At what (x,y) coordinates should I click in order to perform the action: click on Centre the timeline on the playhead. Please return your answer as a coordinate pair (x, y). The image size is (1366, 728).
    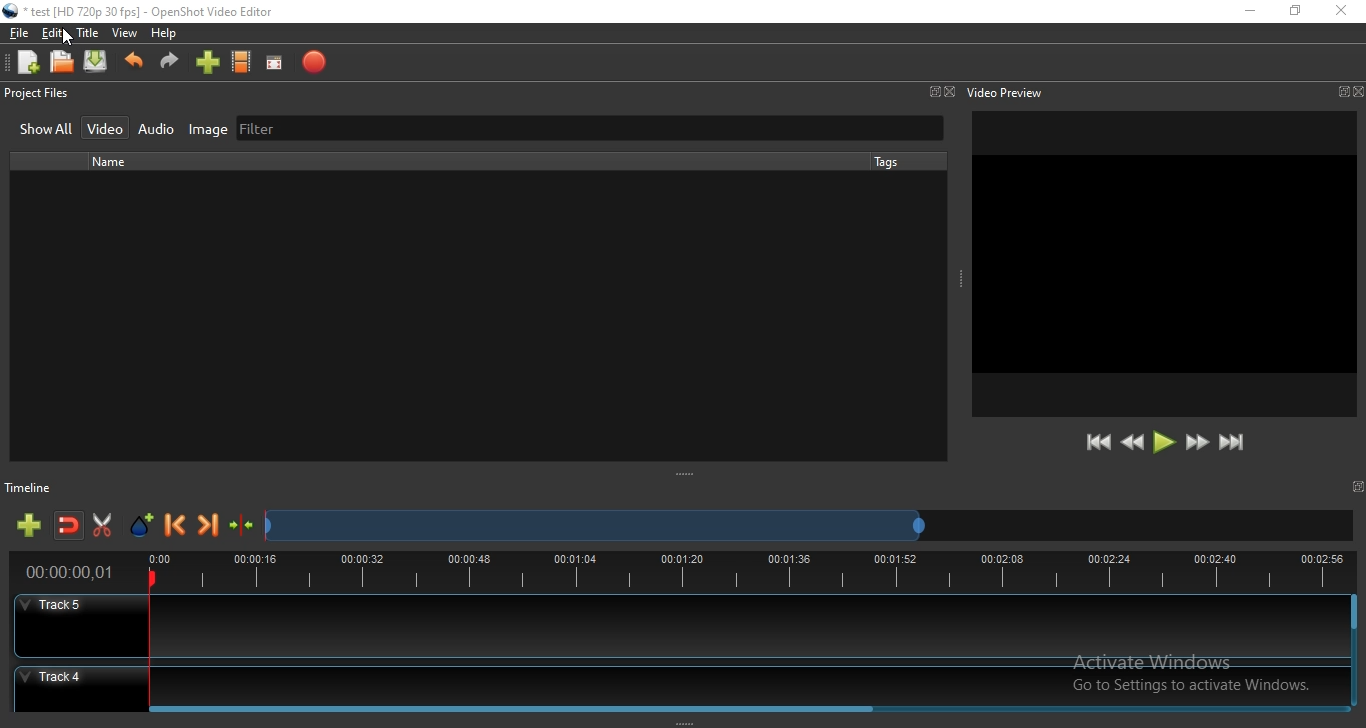
    Looking at the image, I should click on (242, 529).